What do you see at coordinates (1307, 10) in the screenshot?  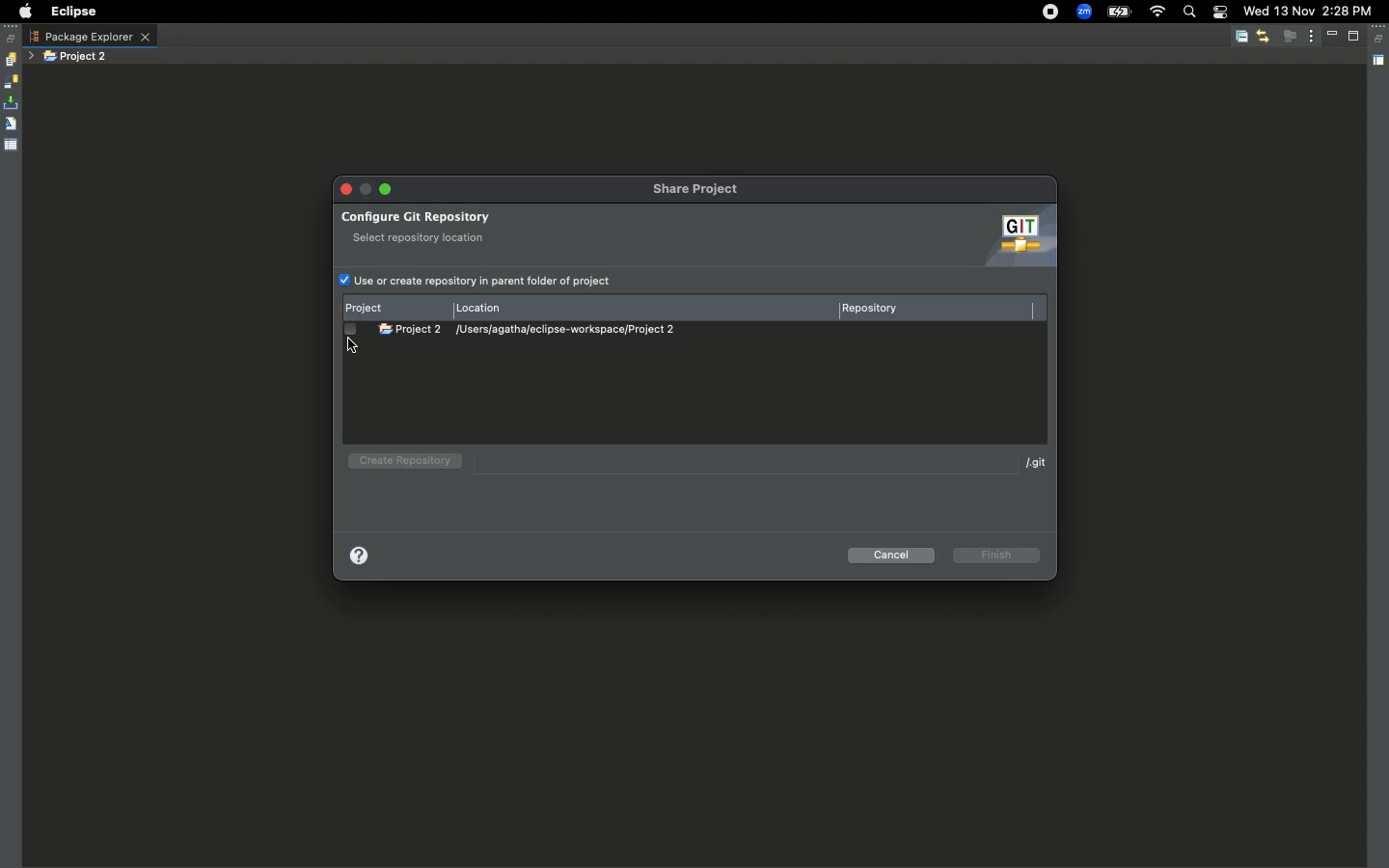 I see `Wed 13 Nov 2:28 PM` at bounding box center [1307, 10].